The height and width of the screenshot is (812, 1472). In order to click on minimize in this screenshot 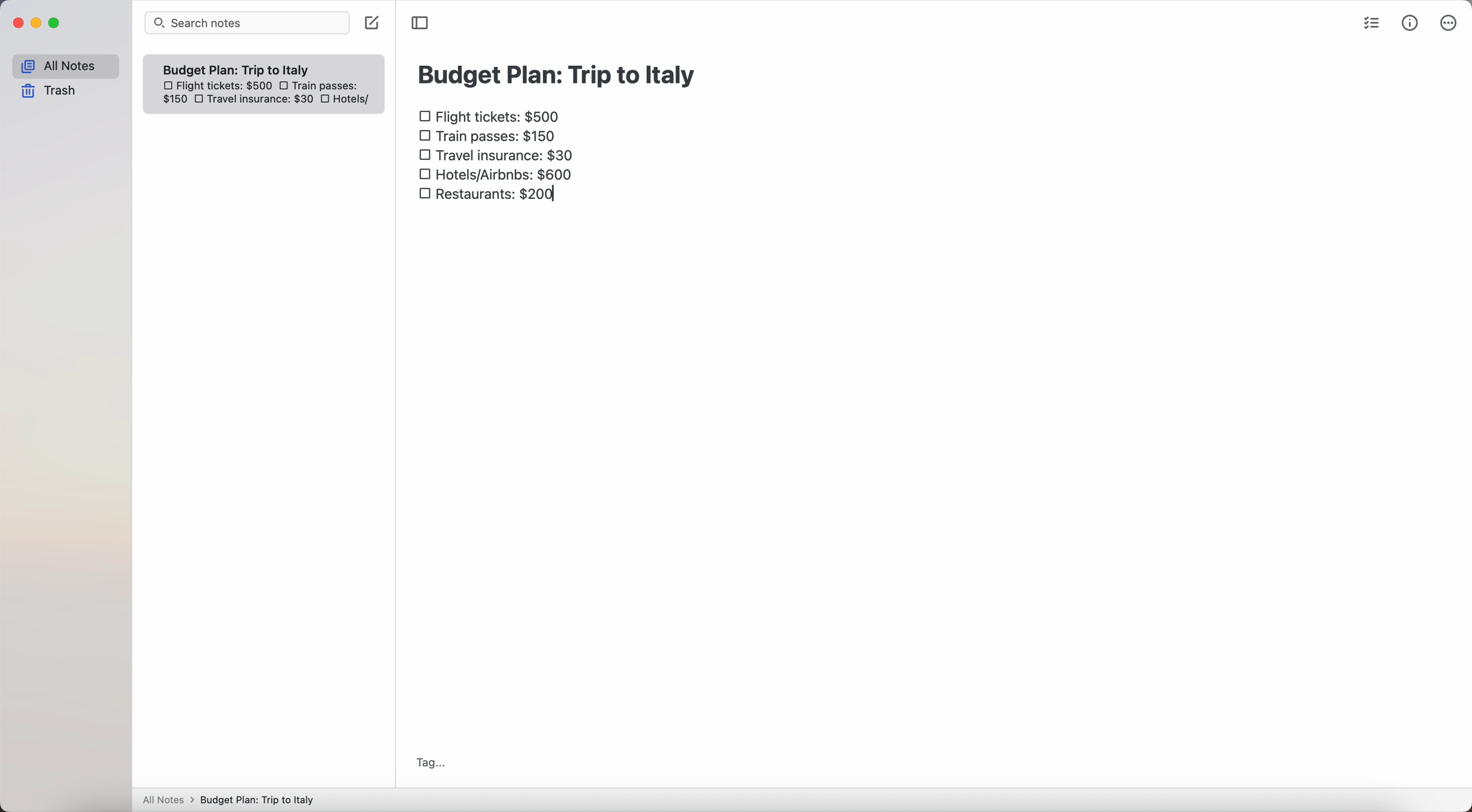, I will do `click(39, 23)`.